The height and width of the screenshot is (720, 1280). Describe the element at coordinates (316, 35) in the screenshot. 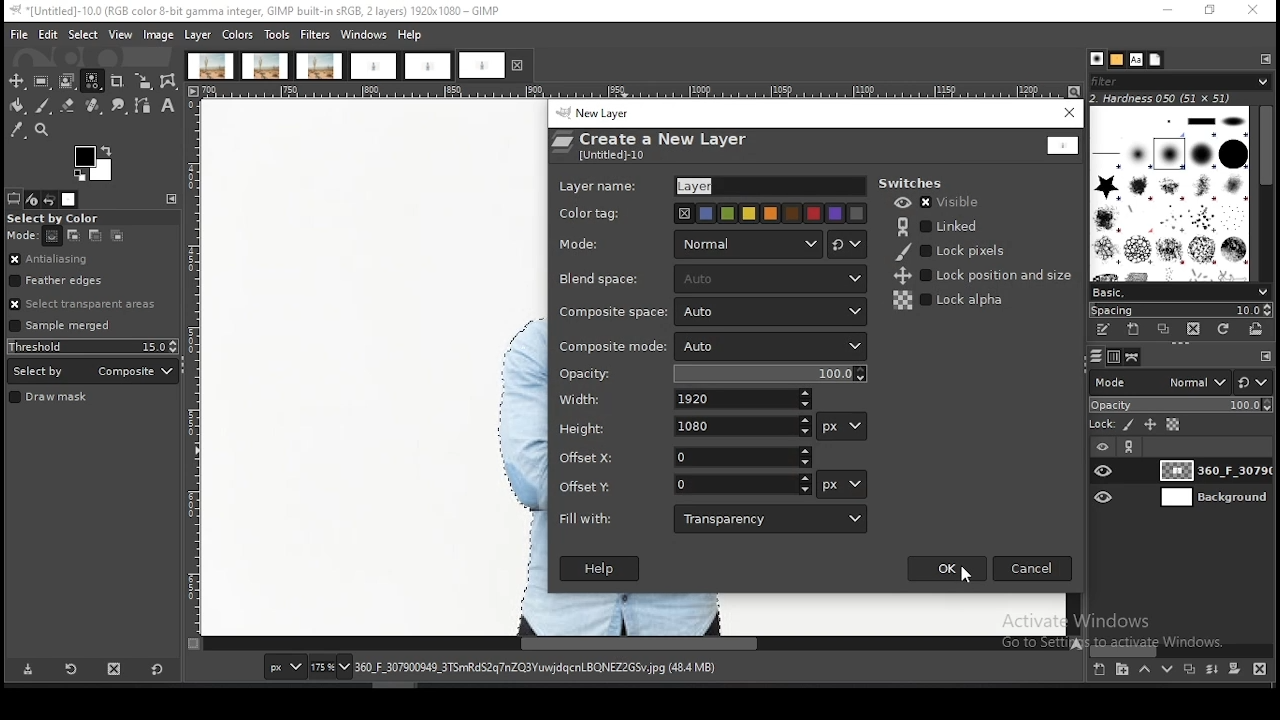

I see `filters` at that location.